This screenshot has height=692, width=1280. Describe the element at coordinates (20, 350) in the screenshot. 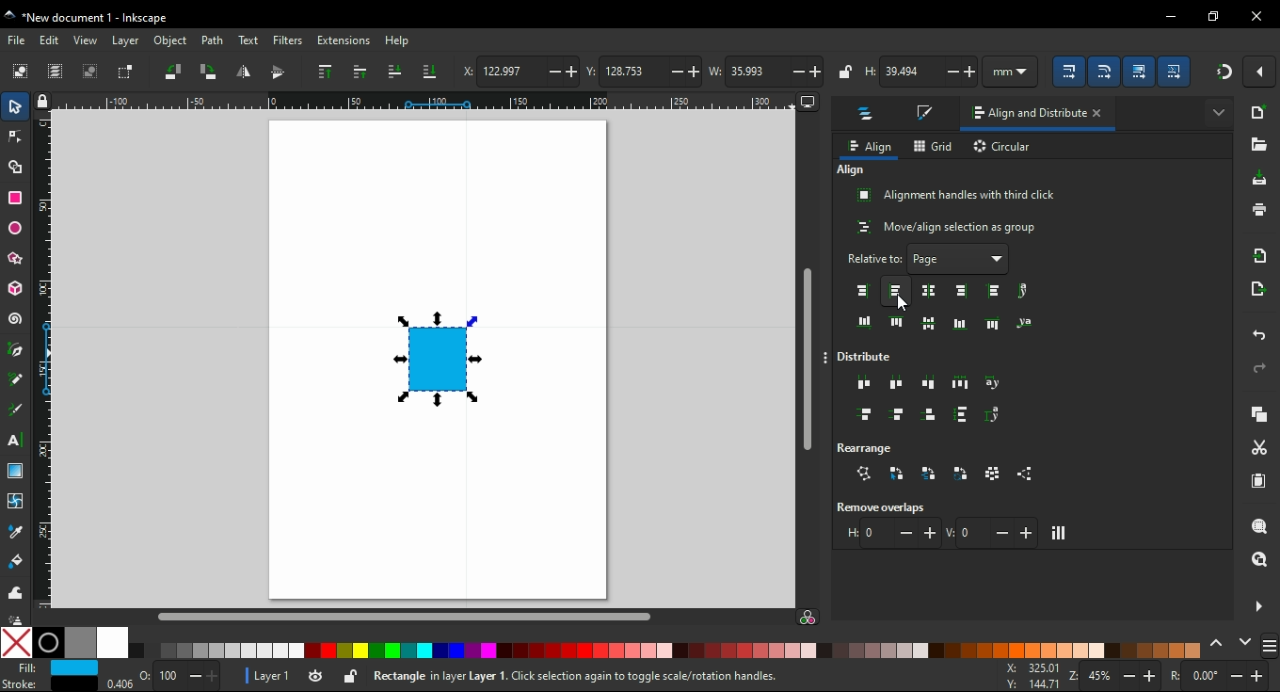

I see `pen tool` at that location.